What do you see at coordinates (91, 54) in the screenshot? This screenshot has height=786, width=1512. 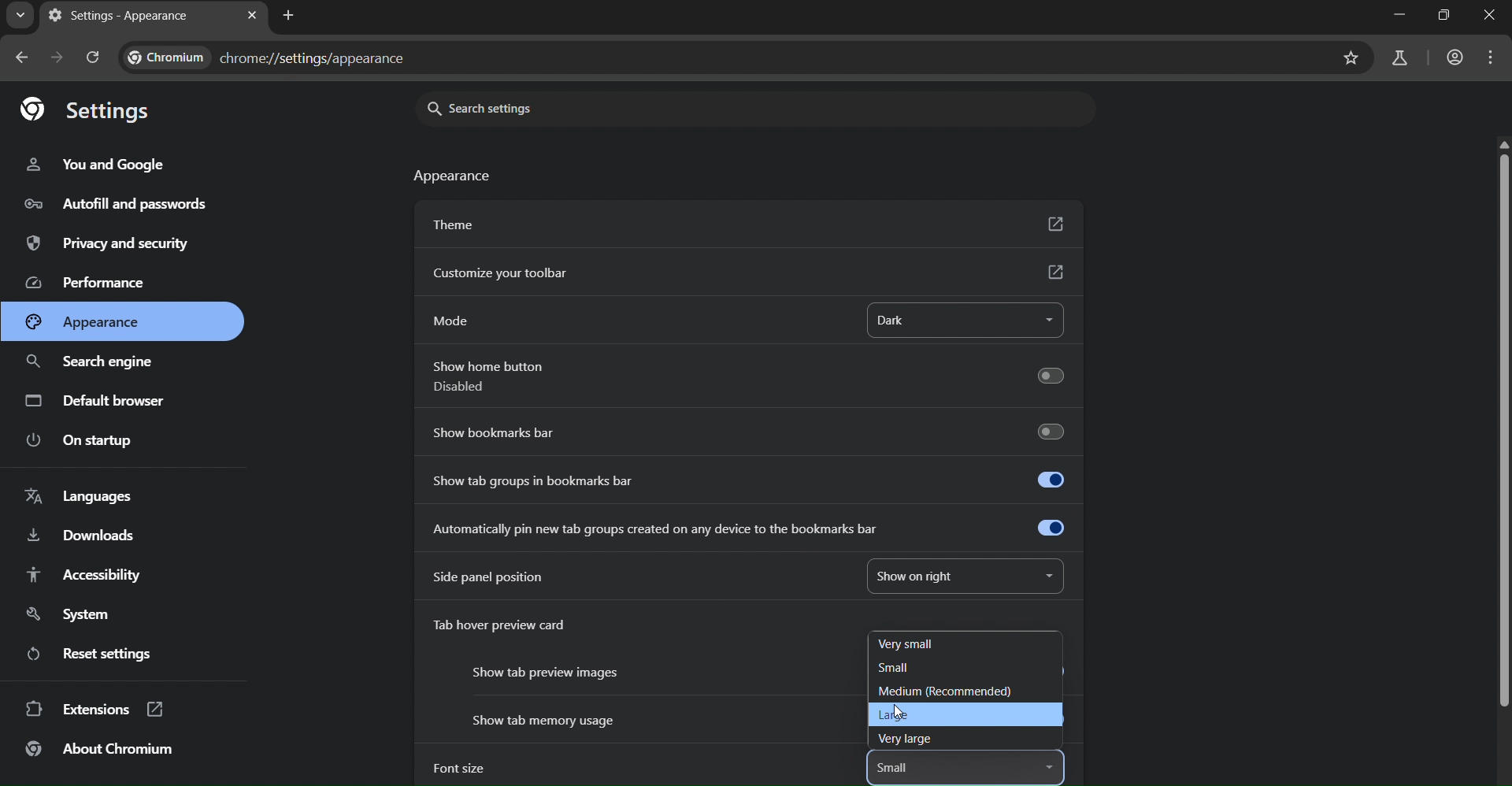 I see `reload page` at bounding box center [91, 54].